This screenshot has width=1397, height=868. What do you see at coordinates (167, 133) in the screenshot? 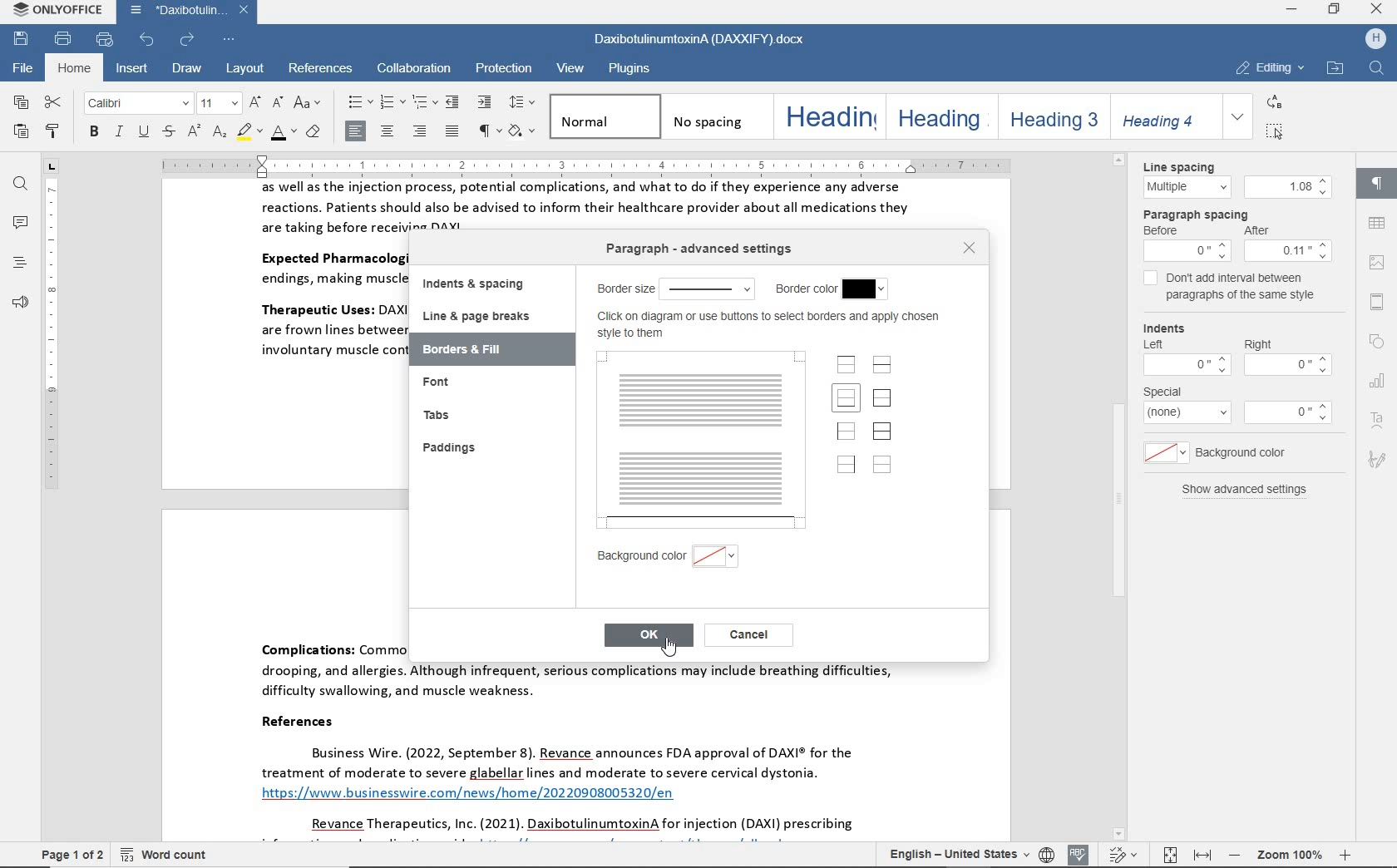
I see `strikethrough` at bounding box center [167, 133].